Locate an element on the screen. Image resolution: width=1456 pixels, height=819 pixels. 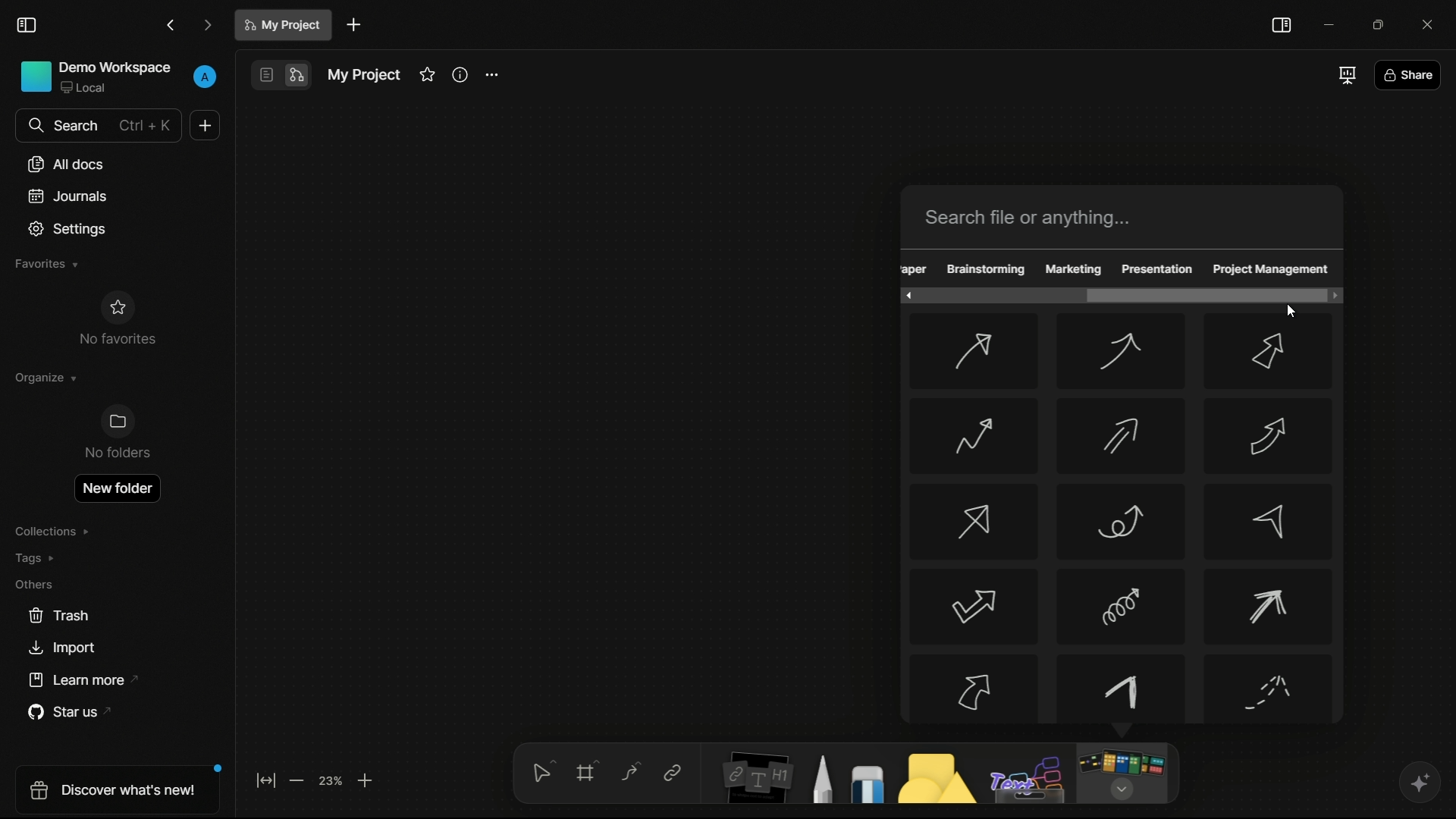
full screen is located at coordinates (1345, 74).